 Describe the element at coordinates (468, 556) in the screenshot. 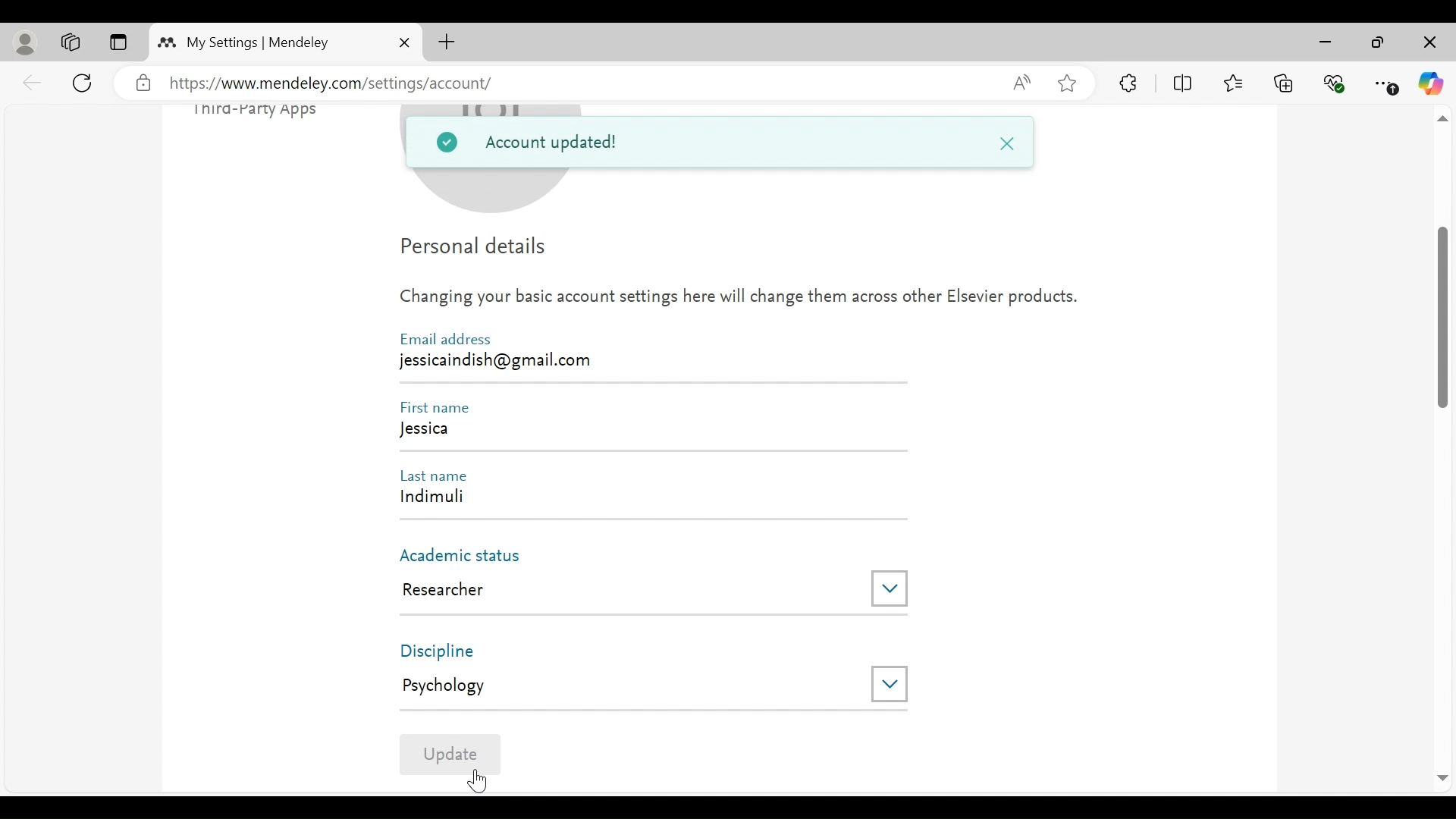

I see `Academic Status` at that location.